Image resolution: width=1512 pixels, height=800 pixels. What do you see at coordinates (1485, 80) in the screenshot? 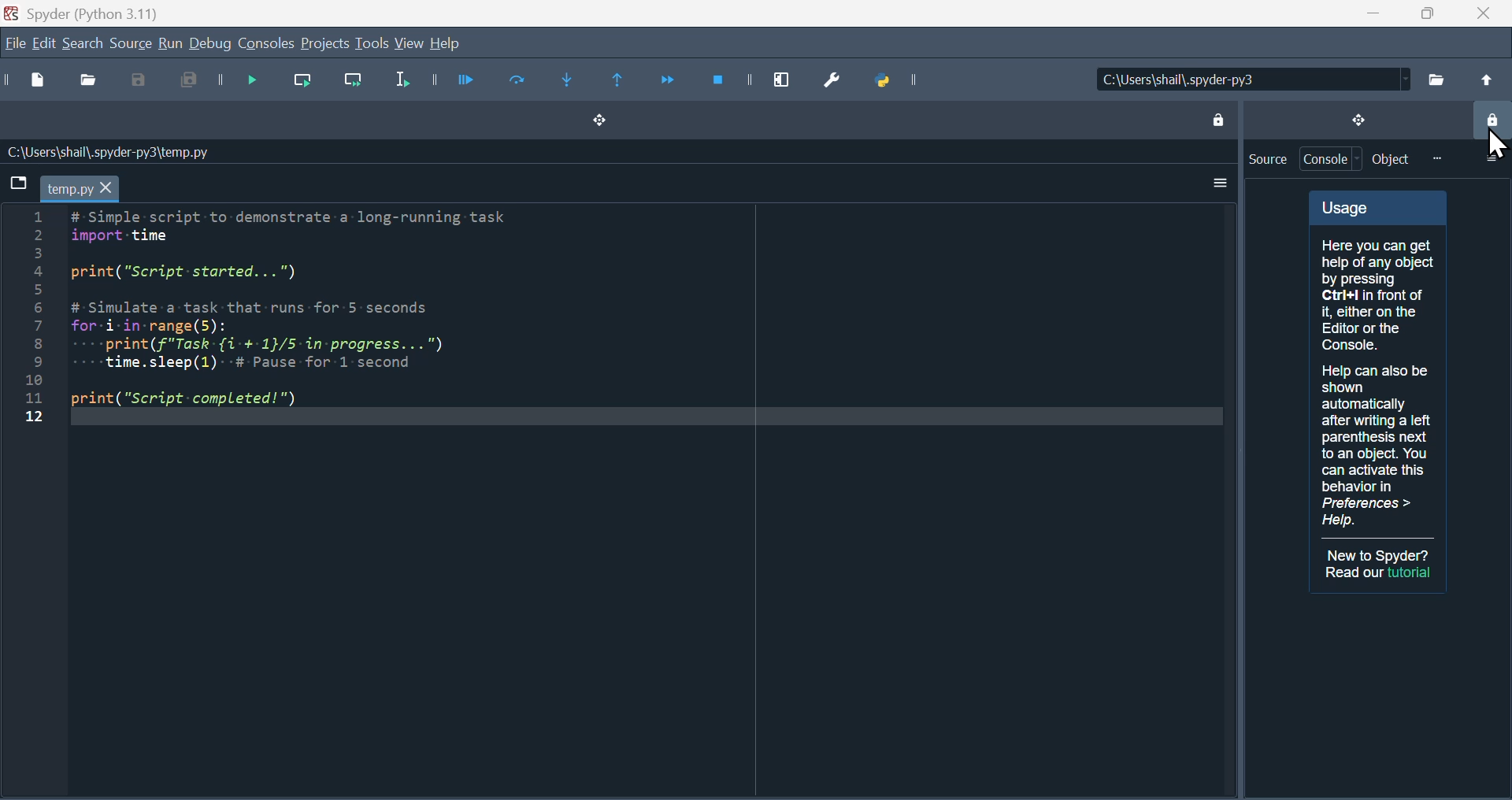
I see `change to parent directory` at bounding box center [1485, 80].